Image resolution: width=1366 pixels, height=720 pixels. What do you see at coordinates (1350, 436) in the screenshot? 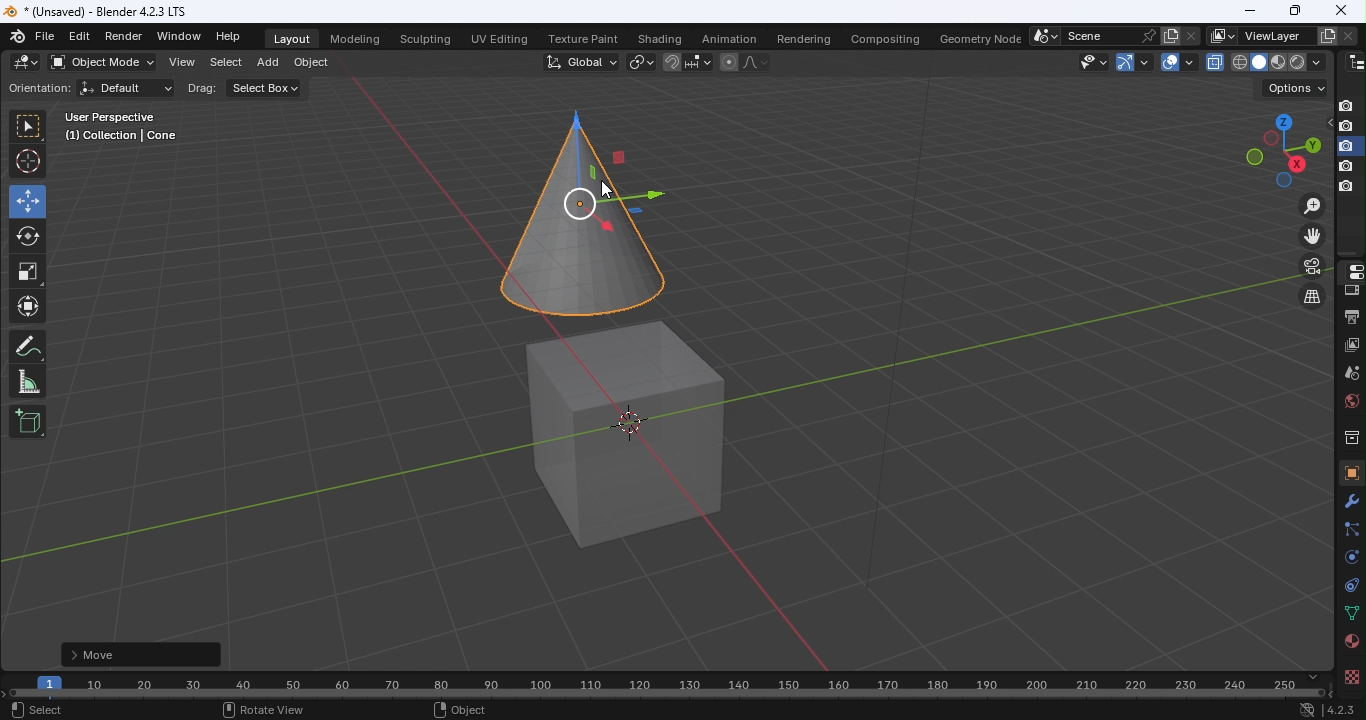
I see `Collection` at bounding box center [1350, 436].